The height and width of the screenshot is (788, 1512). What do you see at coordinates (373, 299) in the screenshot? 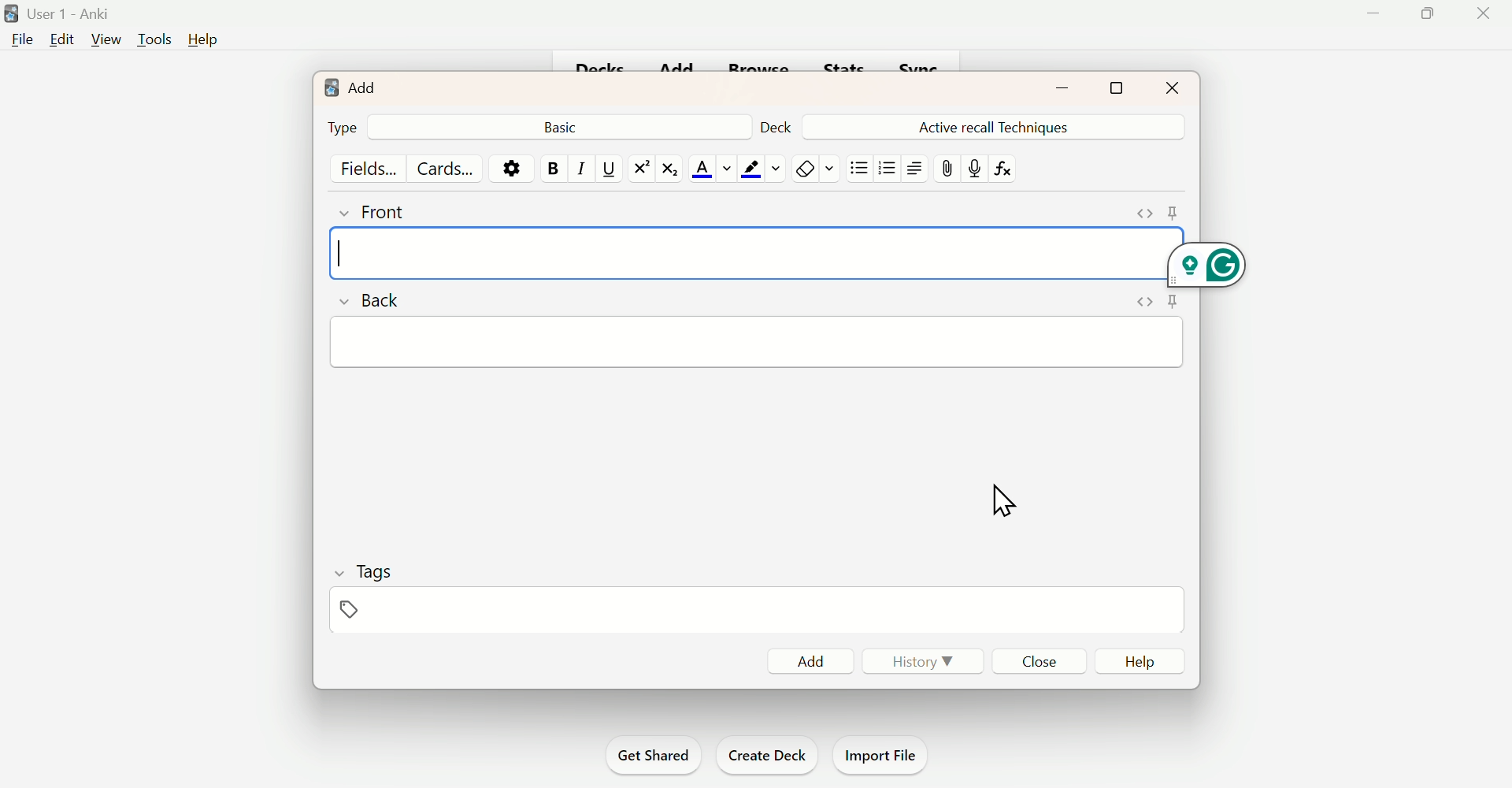
I see `Back` at bounding box center [373, 299].